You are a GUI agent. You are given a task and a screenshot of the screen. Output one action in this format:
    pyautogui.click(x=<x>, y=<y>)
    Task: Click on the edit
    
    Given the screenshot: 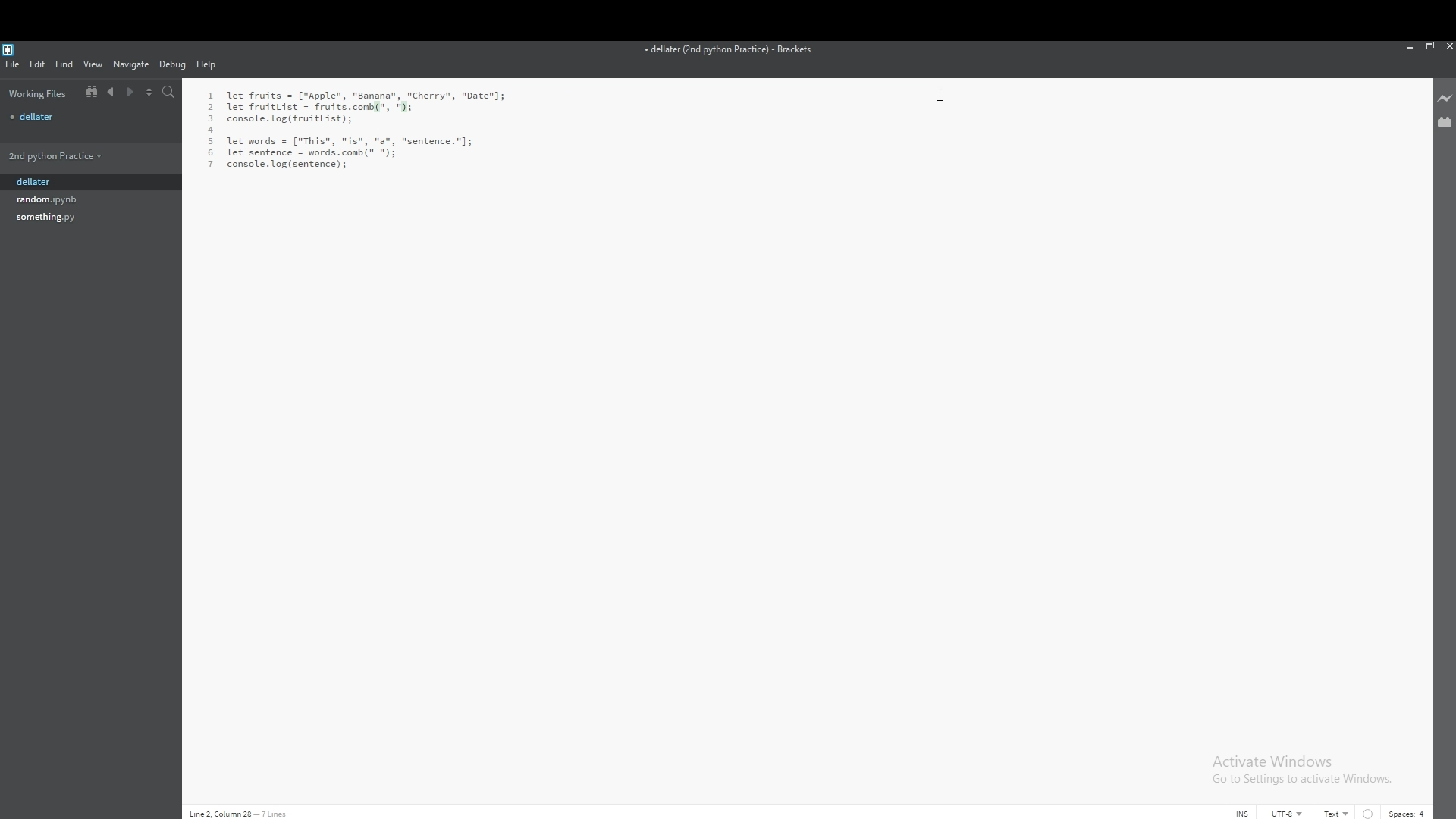 What is the action you would take?
    pyautogui.click(x=38, y=64)
    